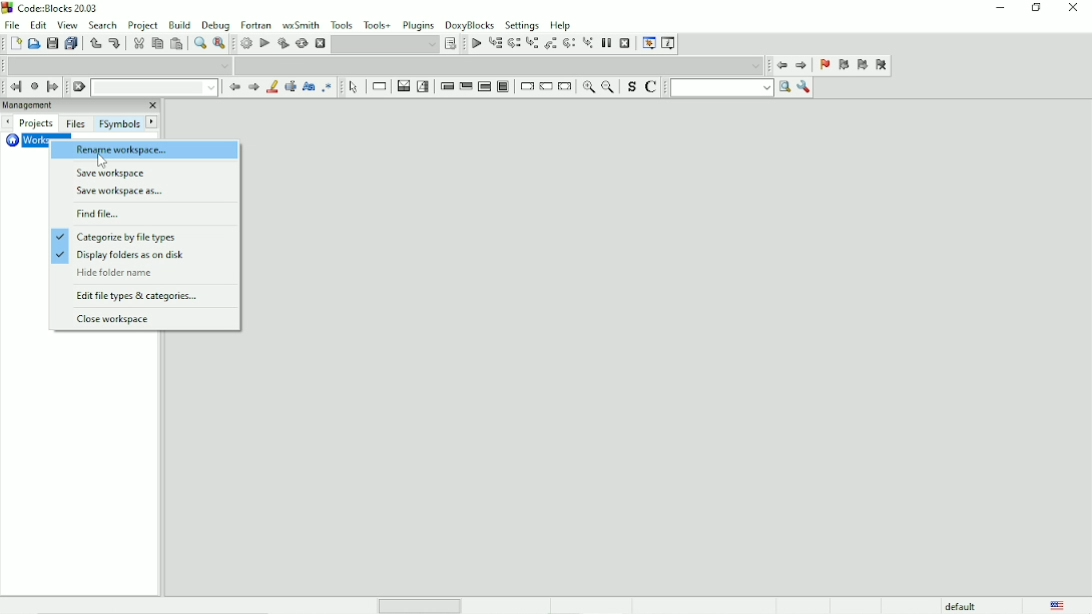  I want to click on Save workspace, so click(117, 174).